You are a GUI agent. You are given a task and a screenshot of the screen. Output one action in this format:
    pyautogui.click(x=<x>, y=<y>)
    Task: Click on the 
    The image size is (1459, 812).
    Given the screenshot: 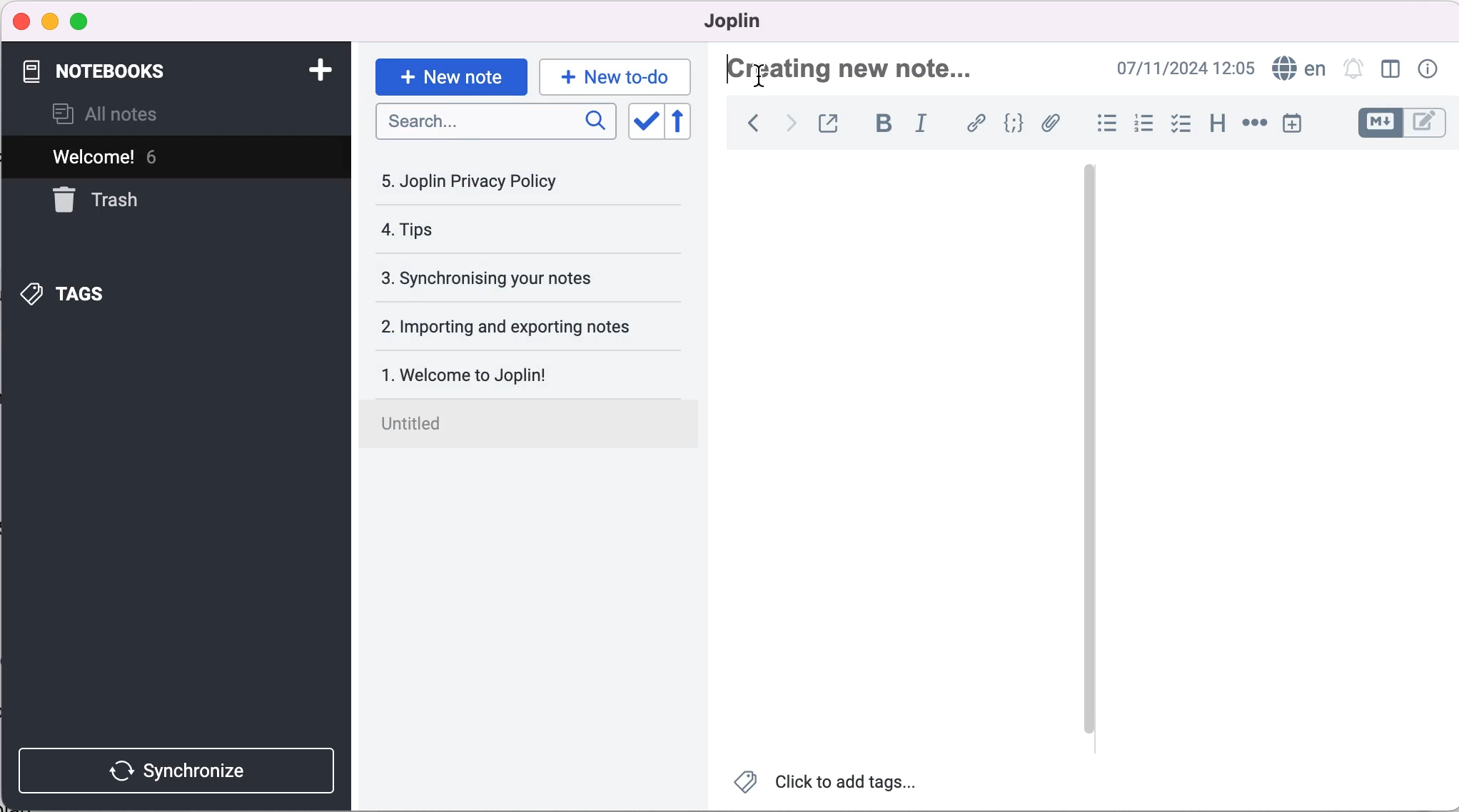 What is the action you would take?
    pyautogui.click(x=1254, y=448)
    